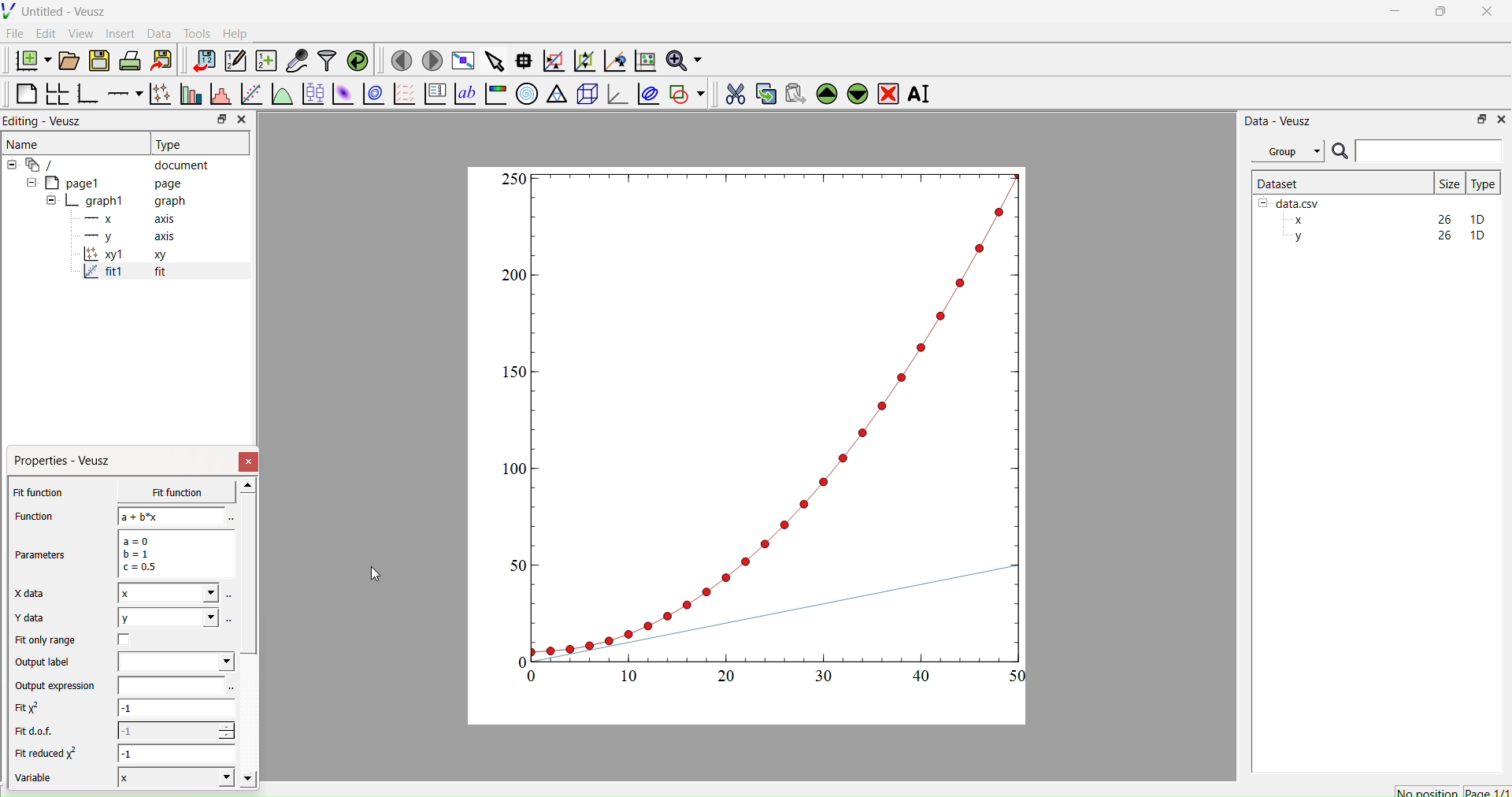 Image resolution: width=1512 pixels, height=797 pixels. Describe the element at coordinates (460, 61) in the screenshot. I see `Full screen` at that location.